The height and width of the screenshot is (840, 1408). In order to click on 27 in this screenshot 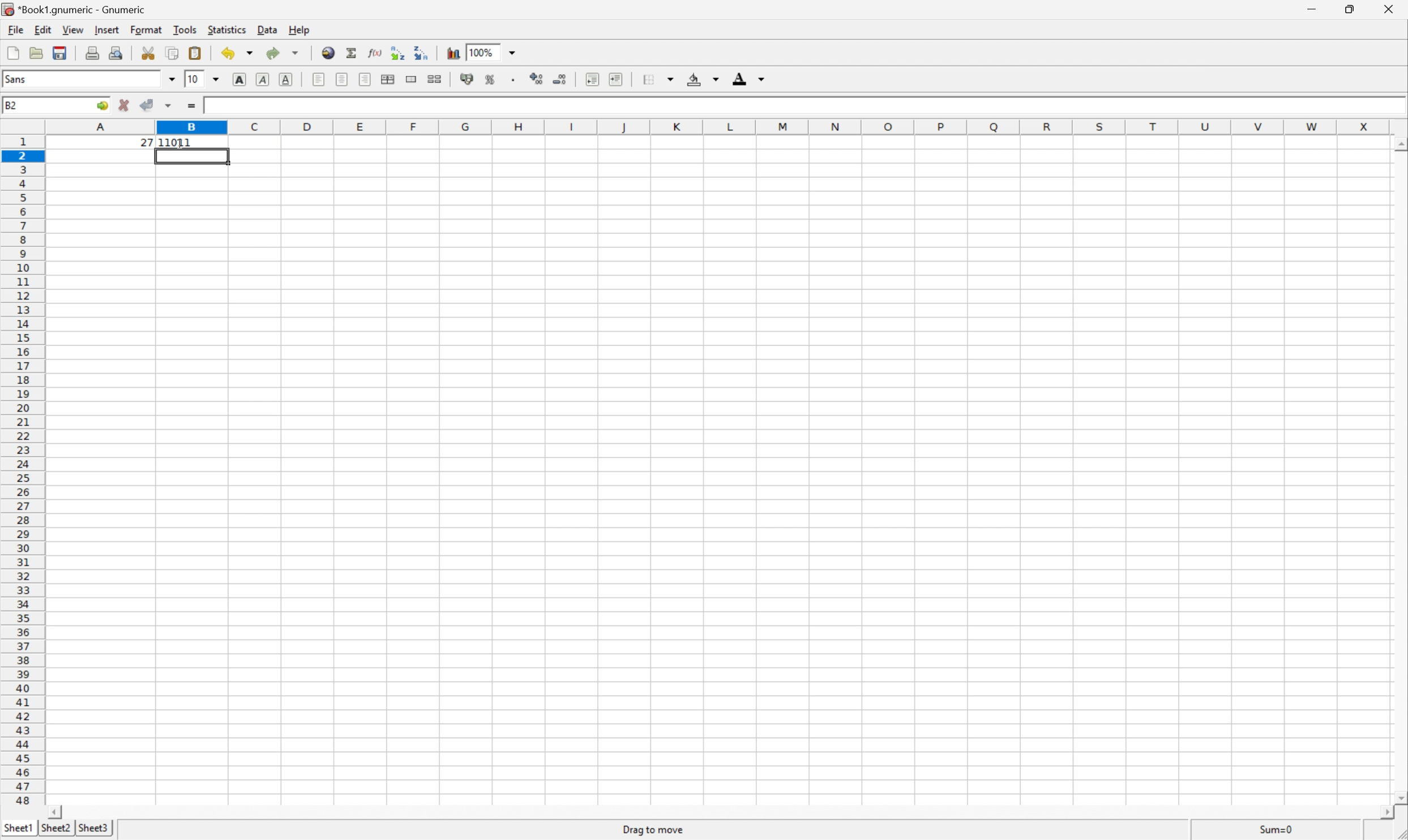, I will do `click(147, 143)`.